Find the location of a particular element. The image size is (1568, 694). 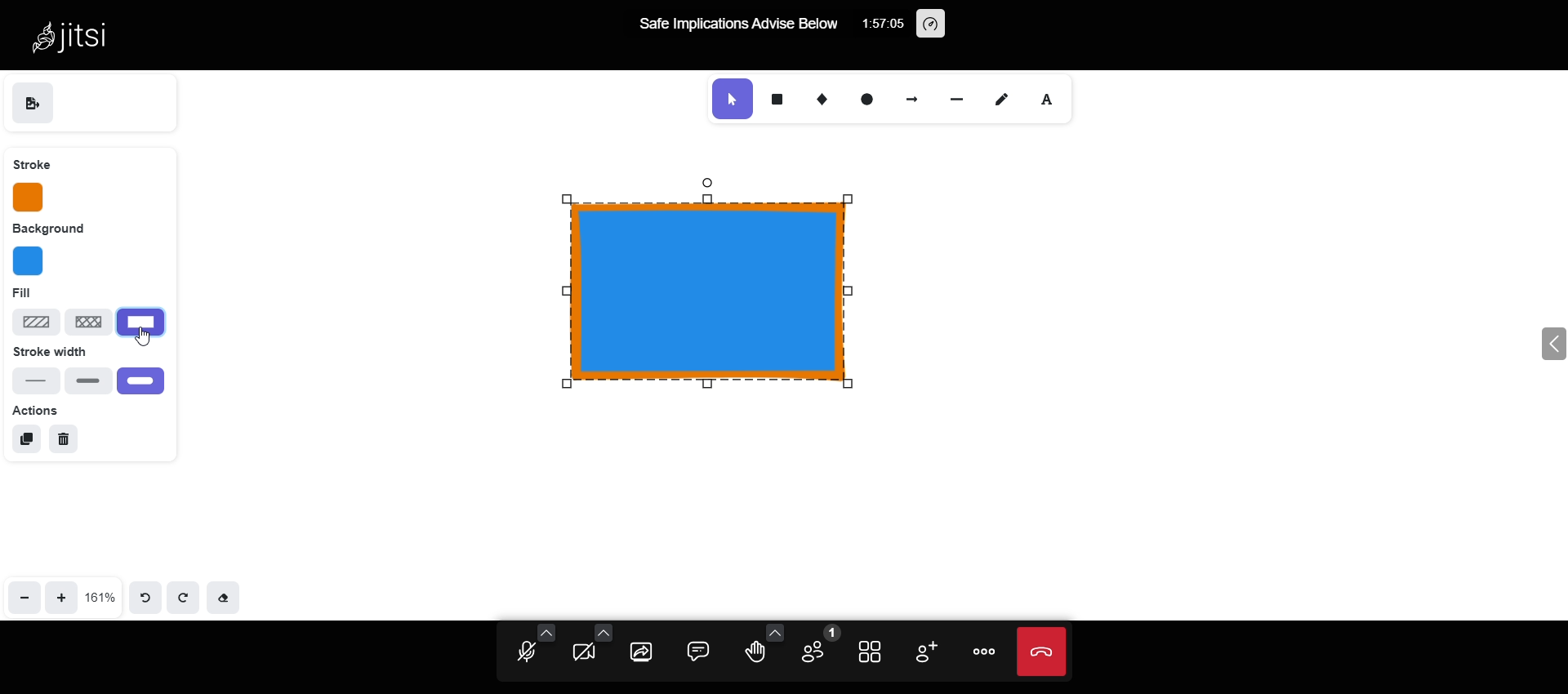

toggle view is located at coordinates (866, 653).